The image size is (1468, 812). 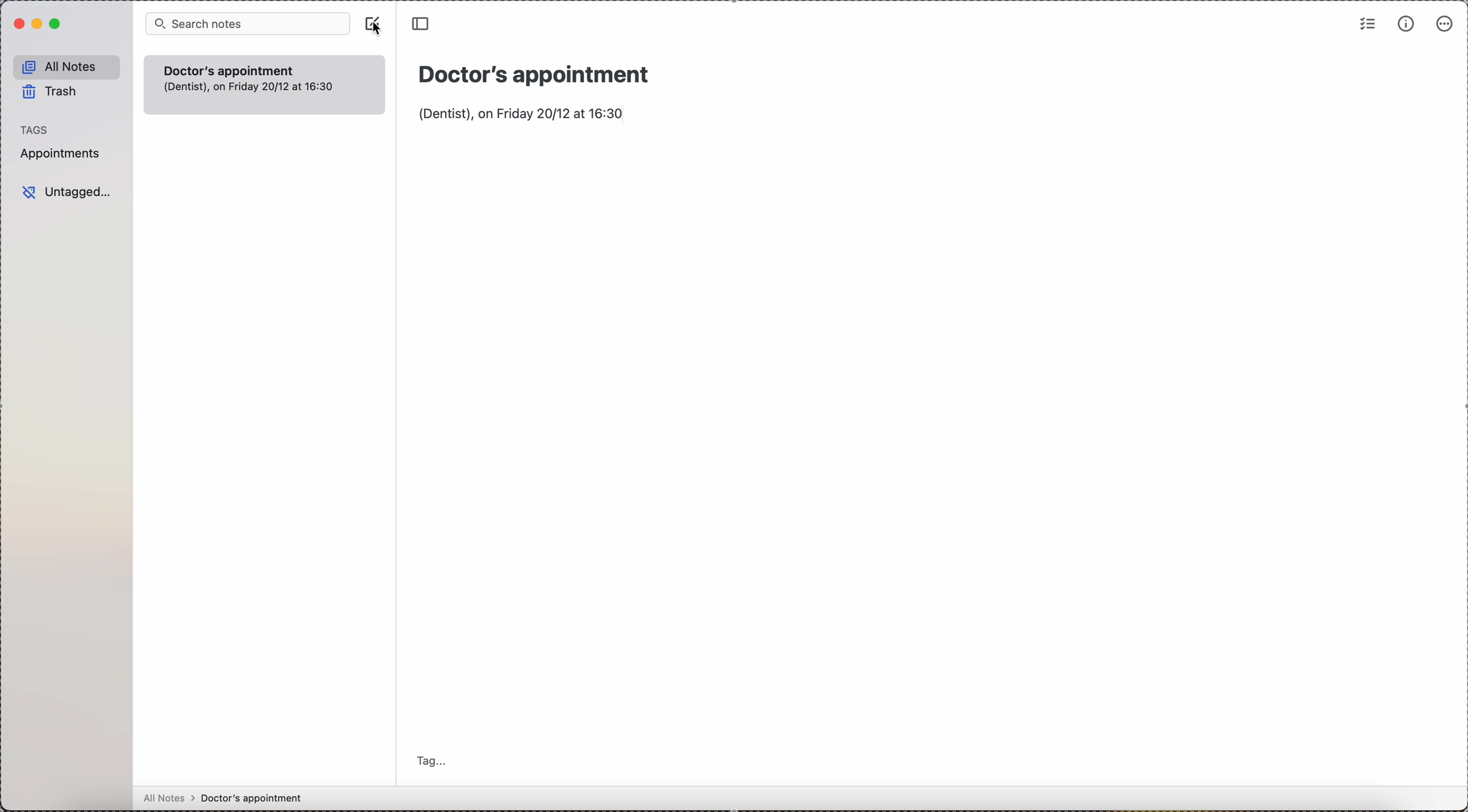 What do you see at coordinates (523, 114) in the screenshot?
I see `(Dentist), on Friday 20/12 at 16:30` at bounding box center [523, 114].